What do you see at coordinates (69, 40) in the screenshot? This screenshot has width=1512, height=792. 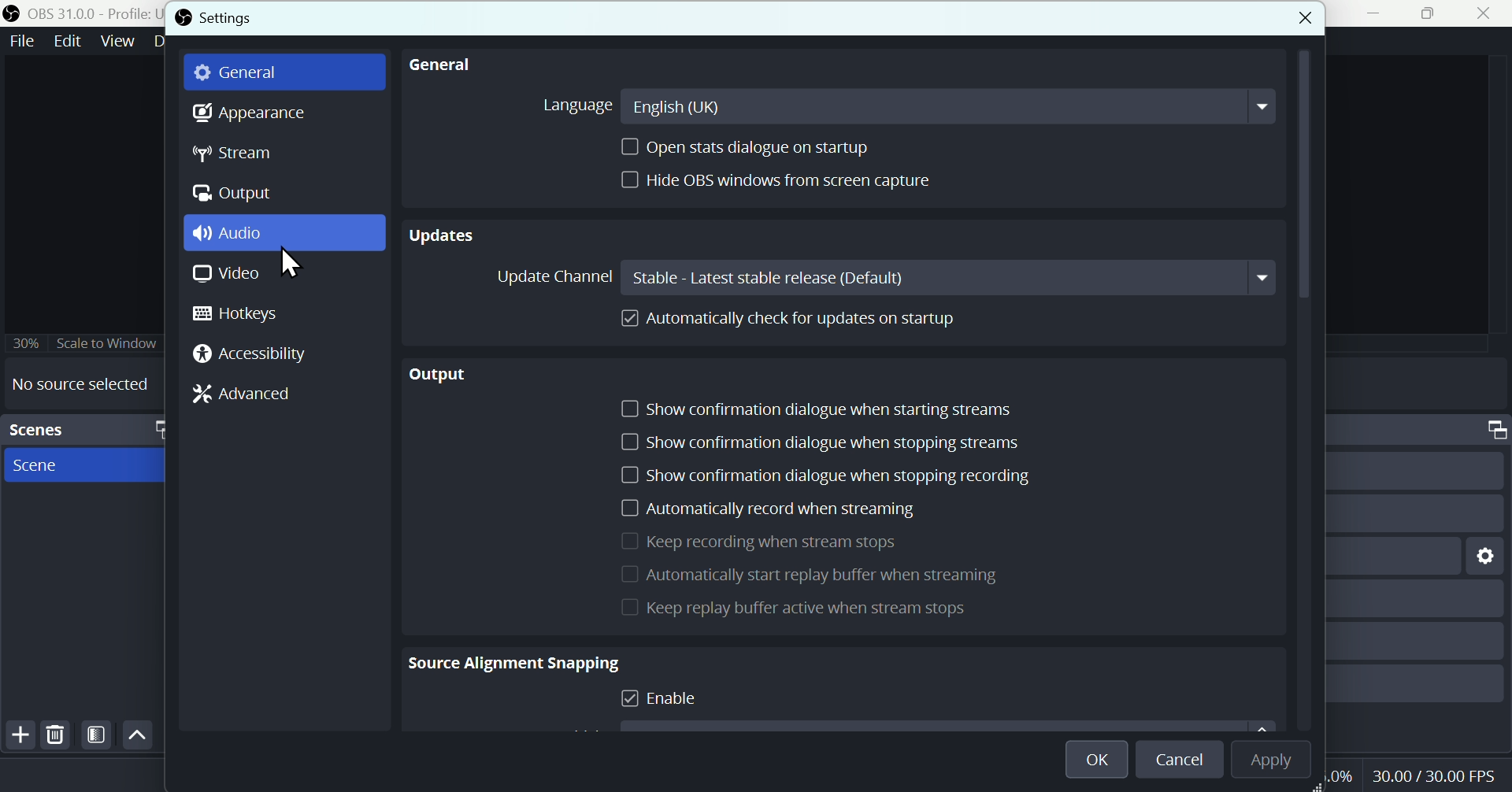 I see `Edit` at bounding box center [69, 40].